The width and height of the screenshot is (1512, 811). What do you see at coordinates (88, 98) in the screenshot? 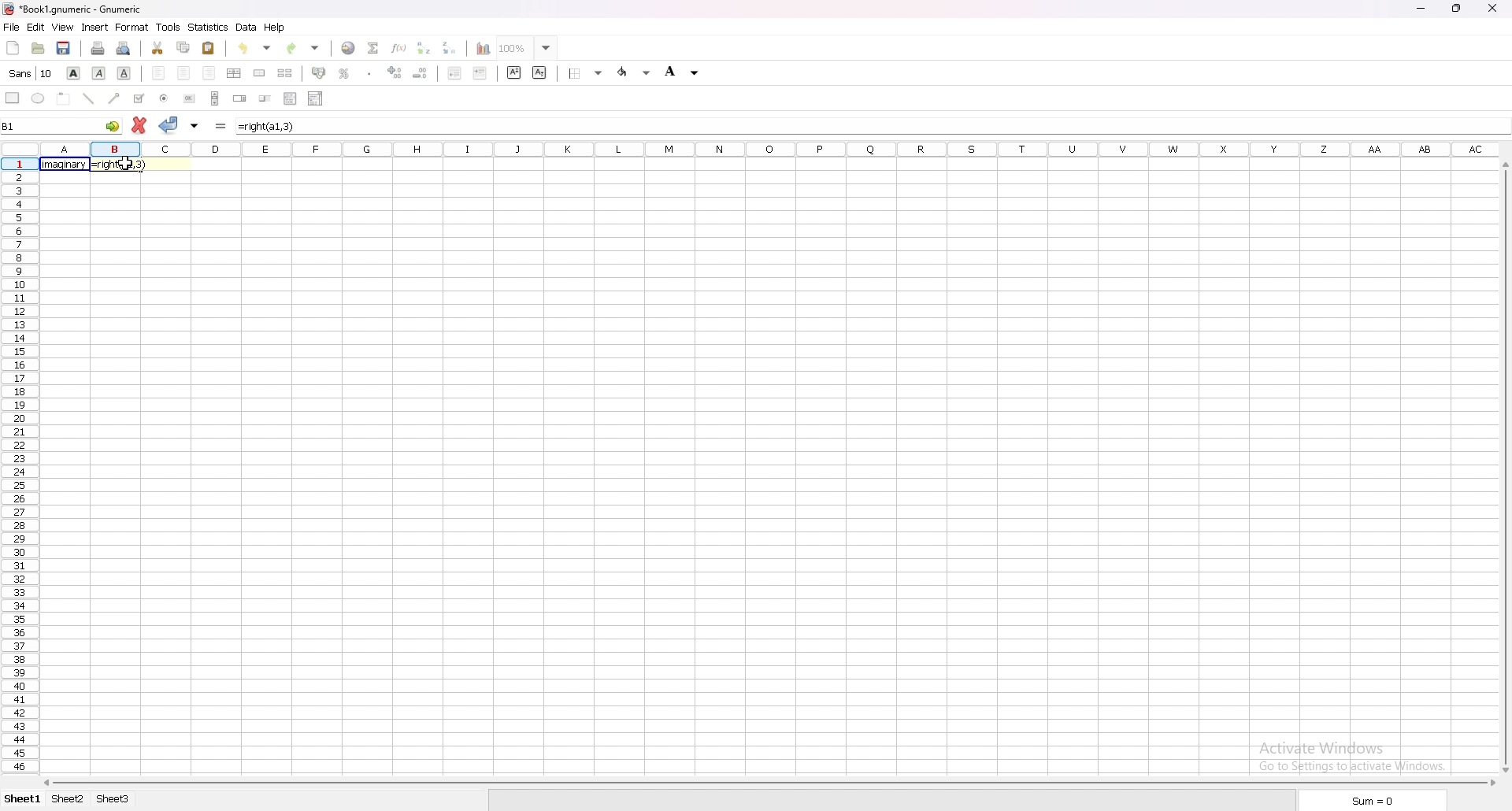
I see `line` at bounding box center [88, 98].